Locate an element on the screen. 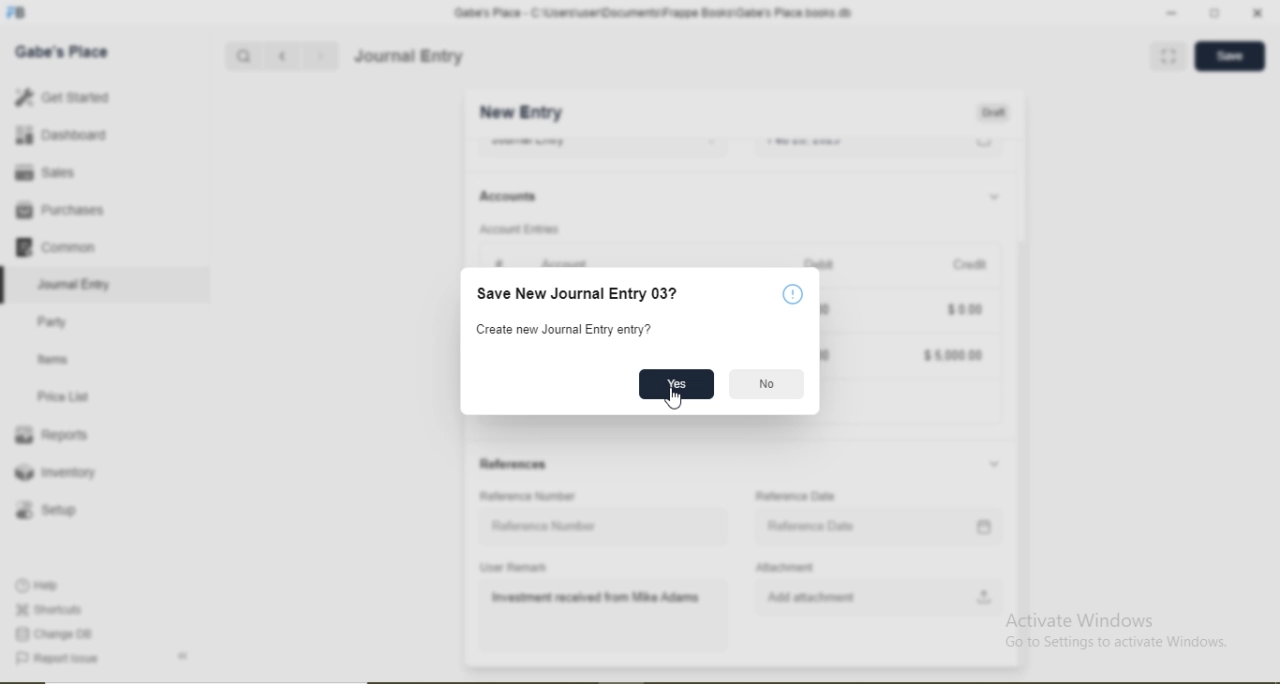  Gabe's Place is located at coordinates (62, 52).